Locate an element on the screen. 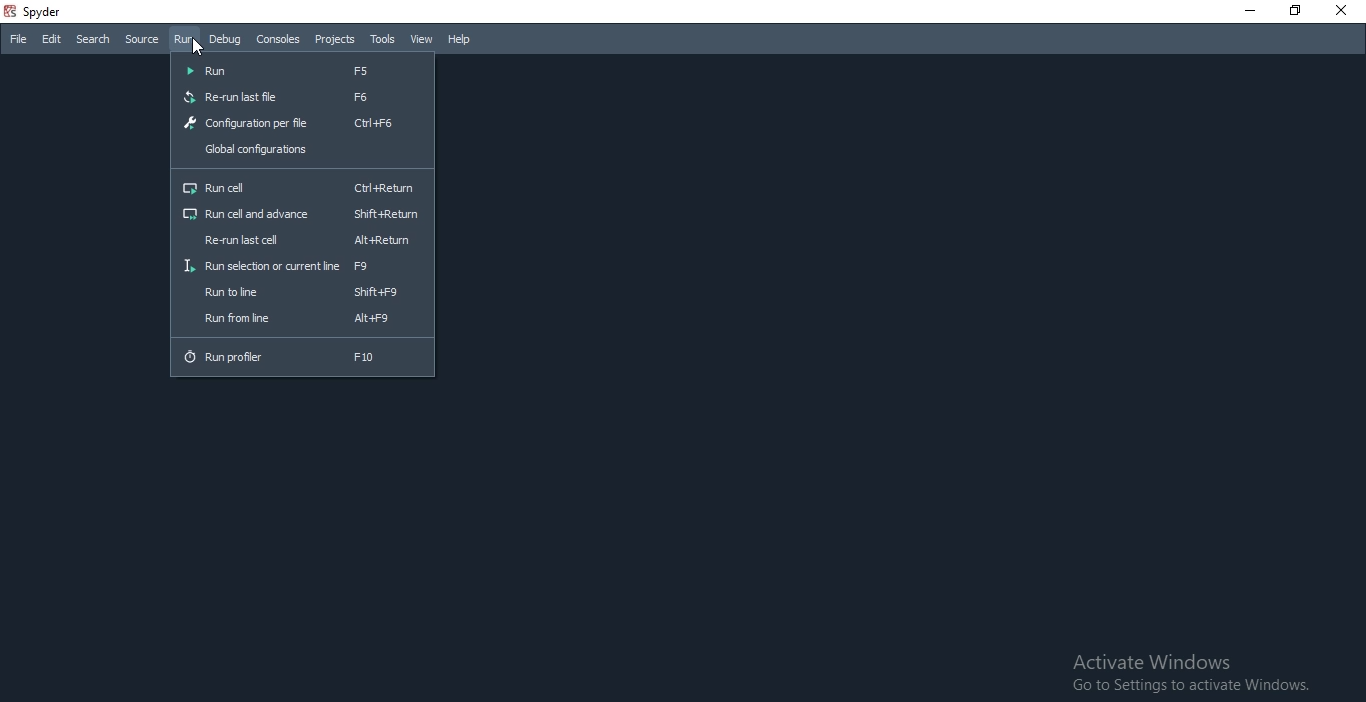 This screenshot has height=702, width=1366. File  is located at coordinates (20, 40).